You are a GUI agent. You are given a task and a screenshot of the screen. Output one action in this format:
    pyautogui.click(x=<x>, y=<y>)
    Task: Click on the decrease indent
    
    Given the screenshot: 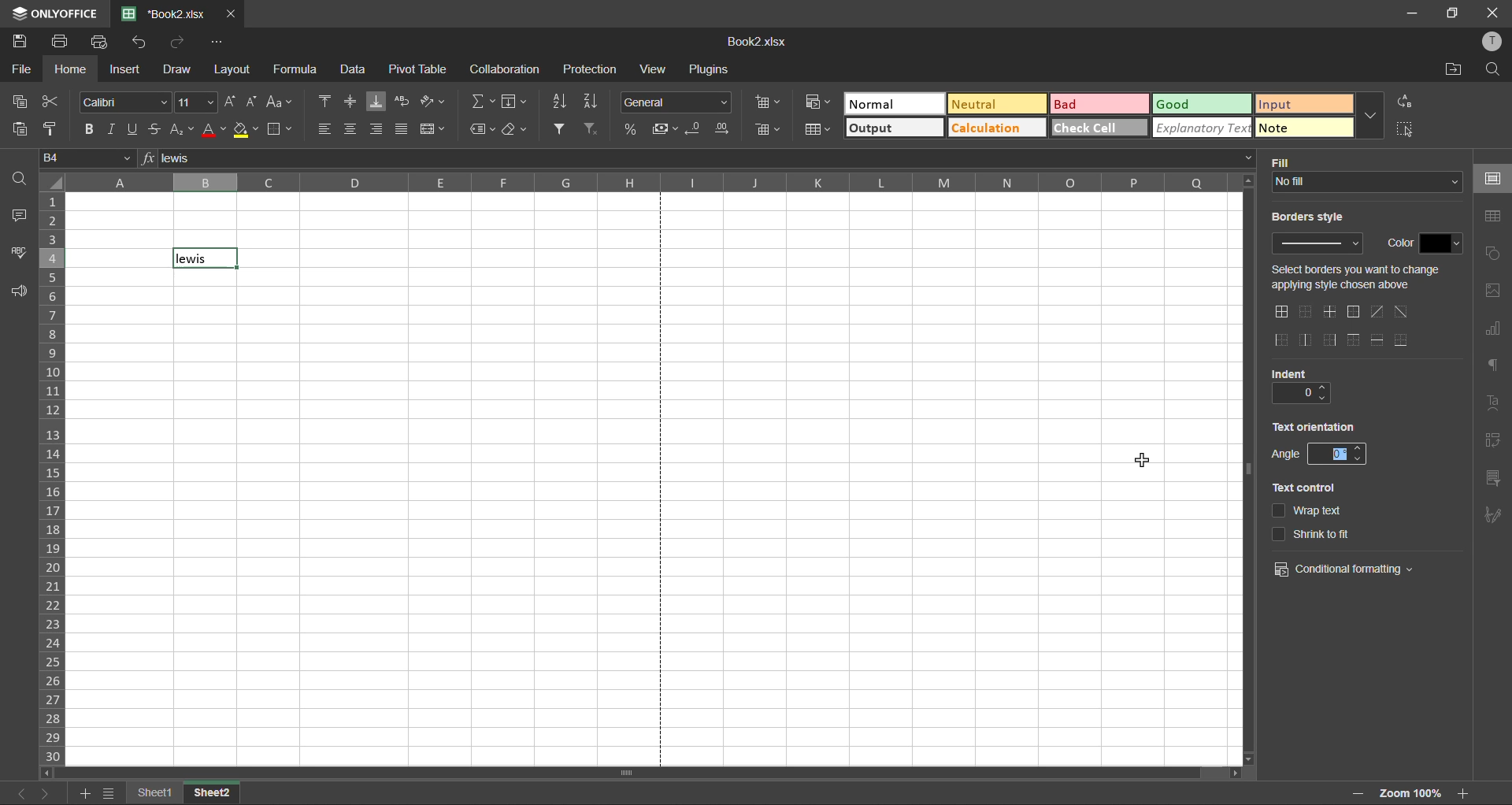 What is the action you would take?
    pyautogui.click(x=1327, y=399)
    